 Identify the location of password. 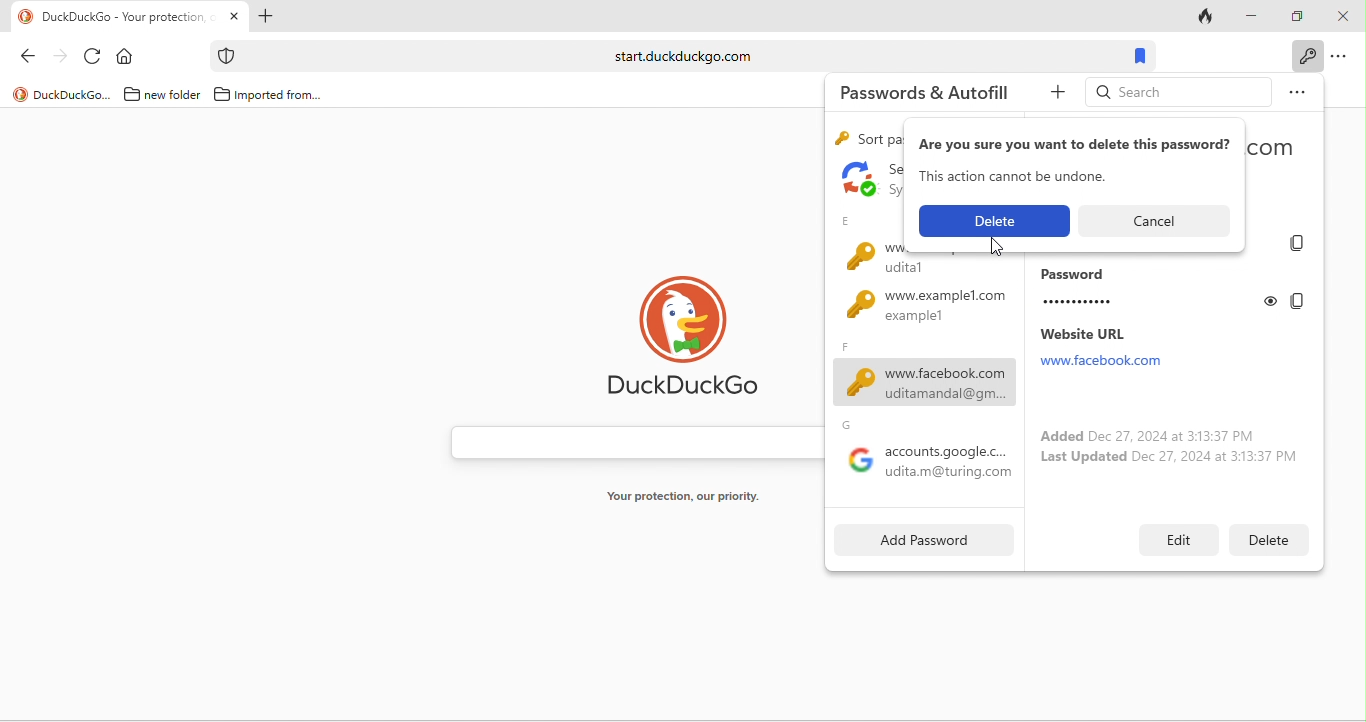
(1144, 290).